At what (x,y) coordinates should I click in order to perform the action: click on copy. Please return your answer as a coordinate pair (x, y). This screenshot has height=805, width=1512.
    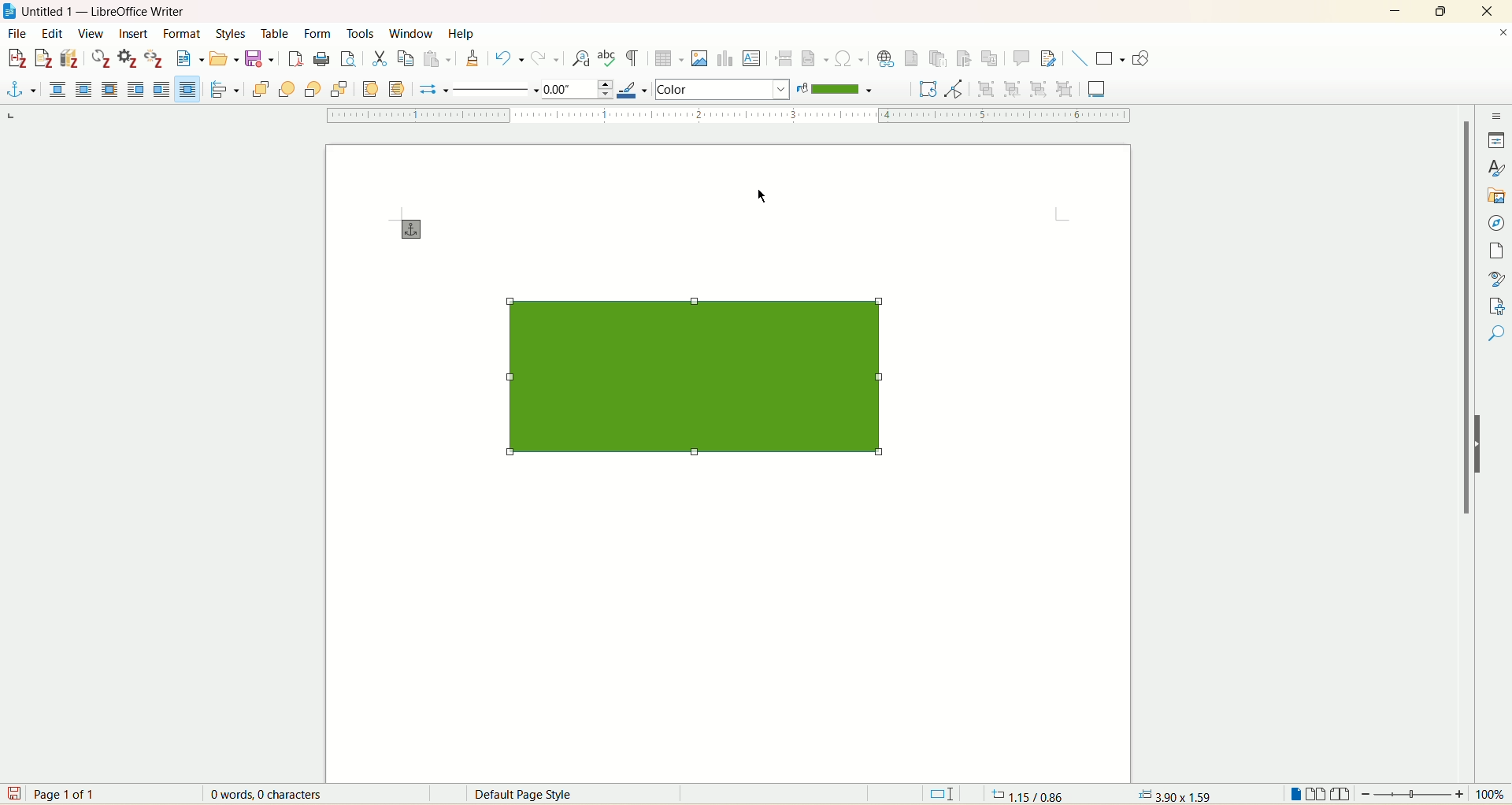
    Looking at the image, I should click on (403, 58).